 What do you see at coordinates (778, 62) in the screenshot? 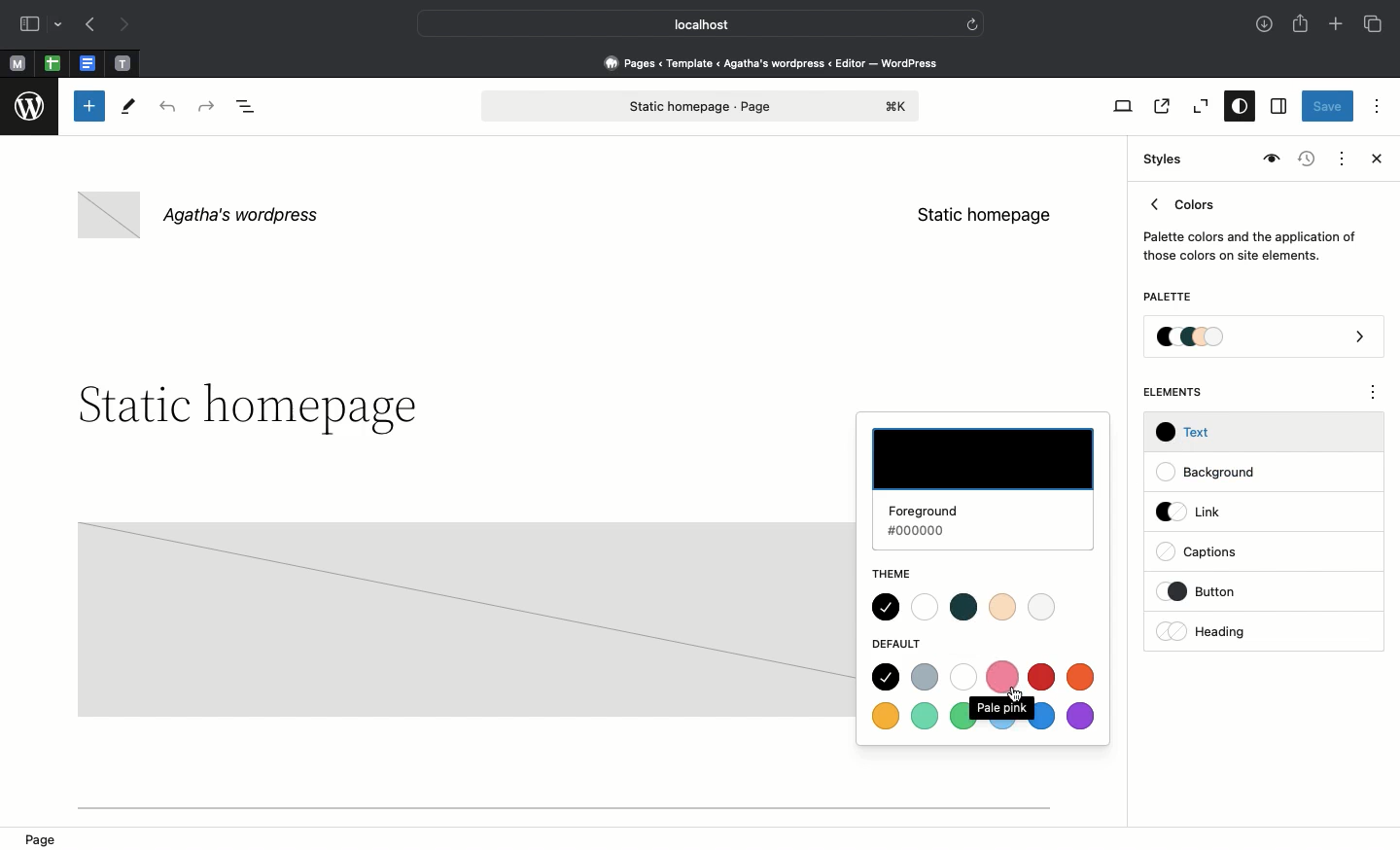
I see `Pages < Template <Agatha's wordpress < editor - wordpress` at bounding box center [778, 62].